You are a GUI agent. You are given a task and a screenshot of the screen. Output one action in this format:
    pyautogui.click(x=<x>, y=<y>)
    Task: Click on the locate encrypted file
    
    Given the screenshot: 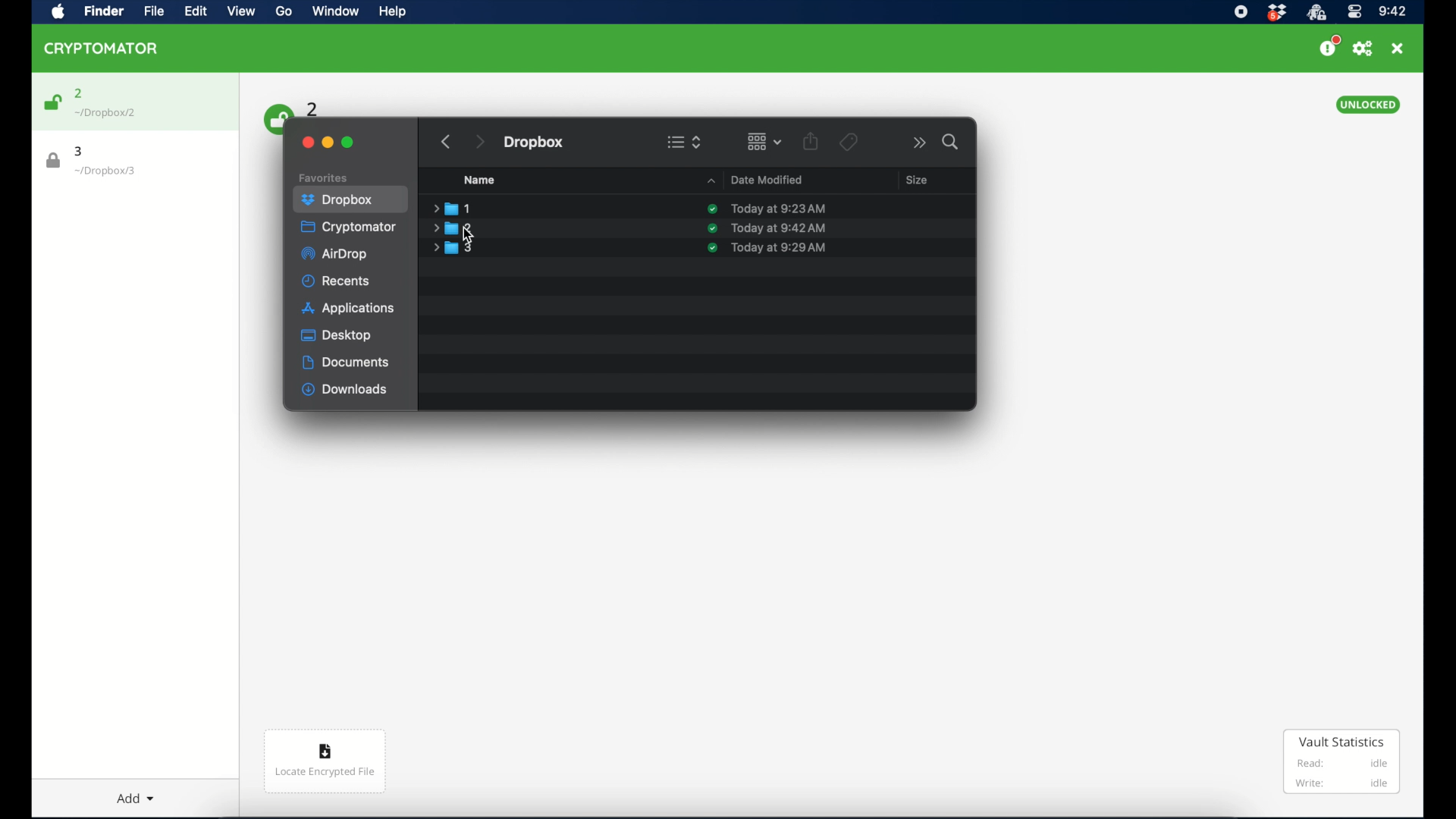 What is the action you would take?
    pyautogui.click(x=325, y=761)
    